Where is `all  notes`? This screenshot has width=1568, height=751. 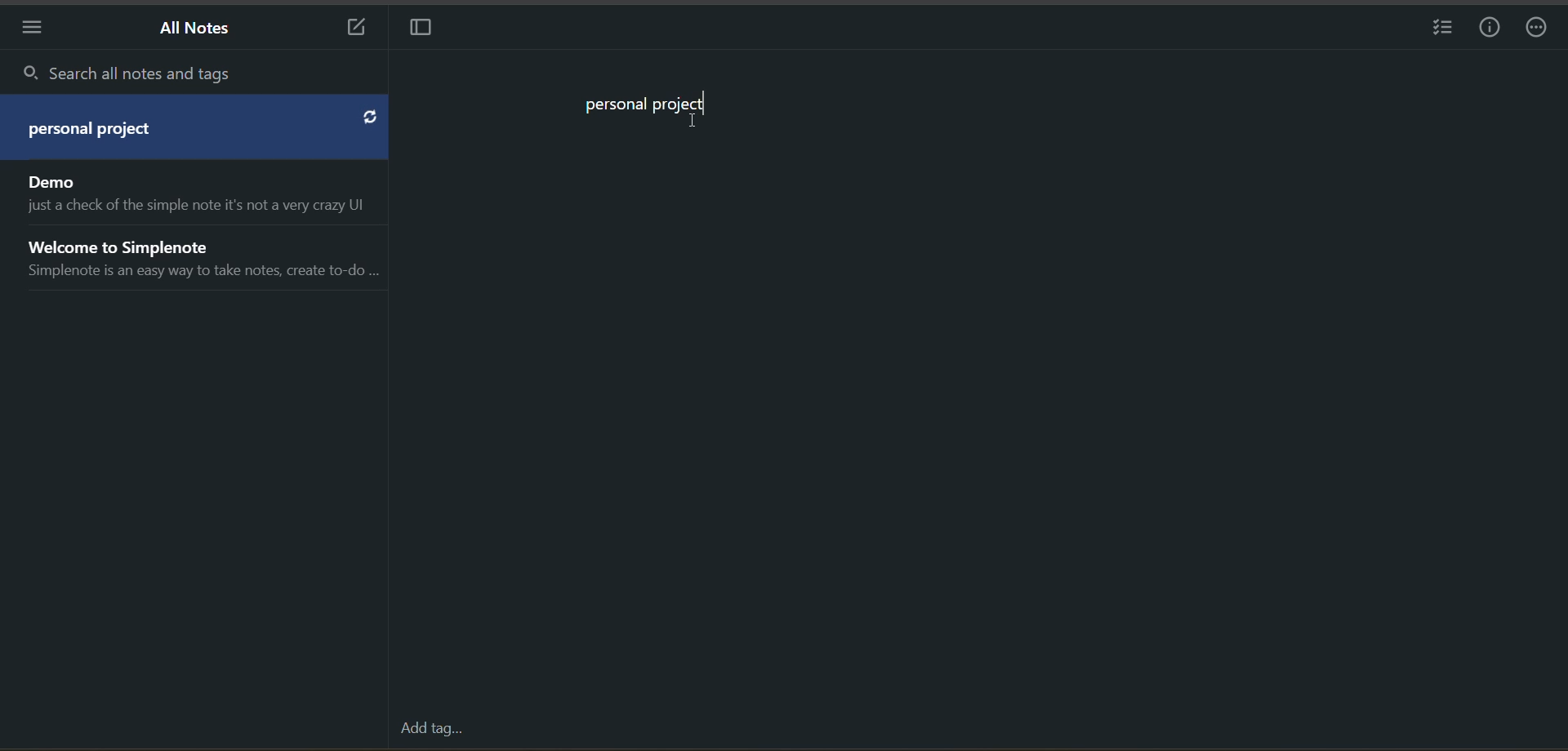
all  notes is located at coordinates (198, 28).